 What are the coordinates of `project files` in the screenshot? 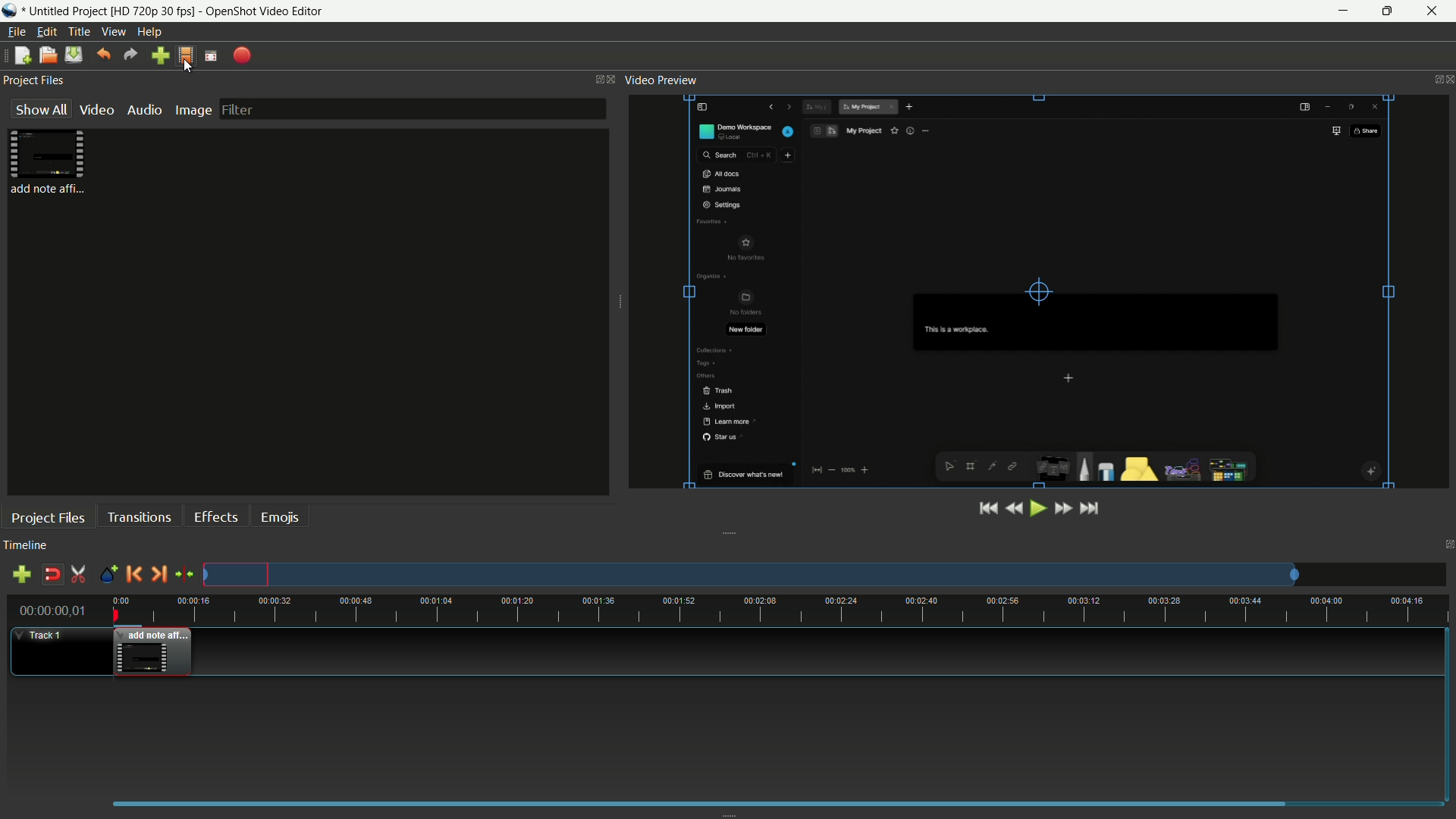 It's located at (36, 79).